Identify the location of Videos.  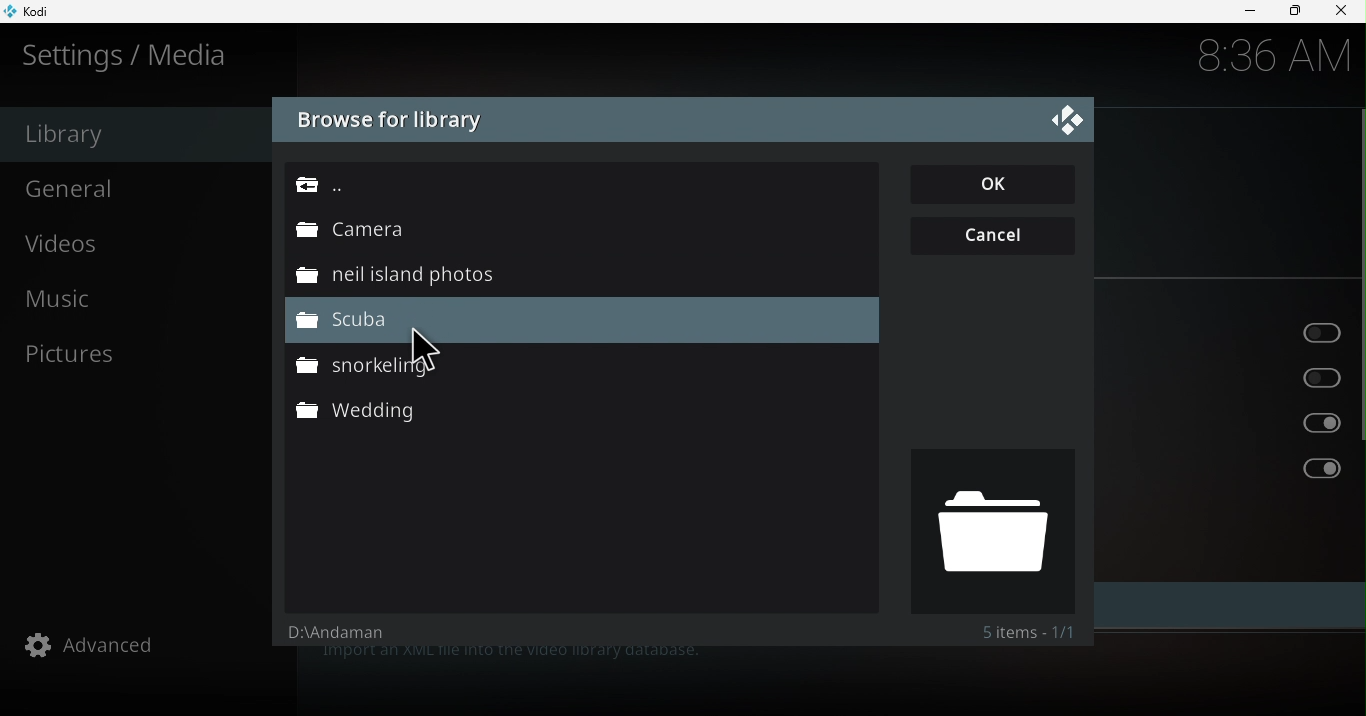
(140, 247).